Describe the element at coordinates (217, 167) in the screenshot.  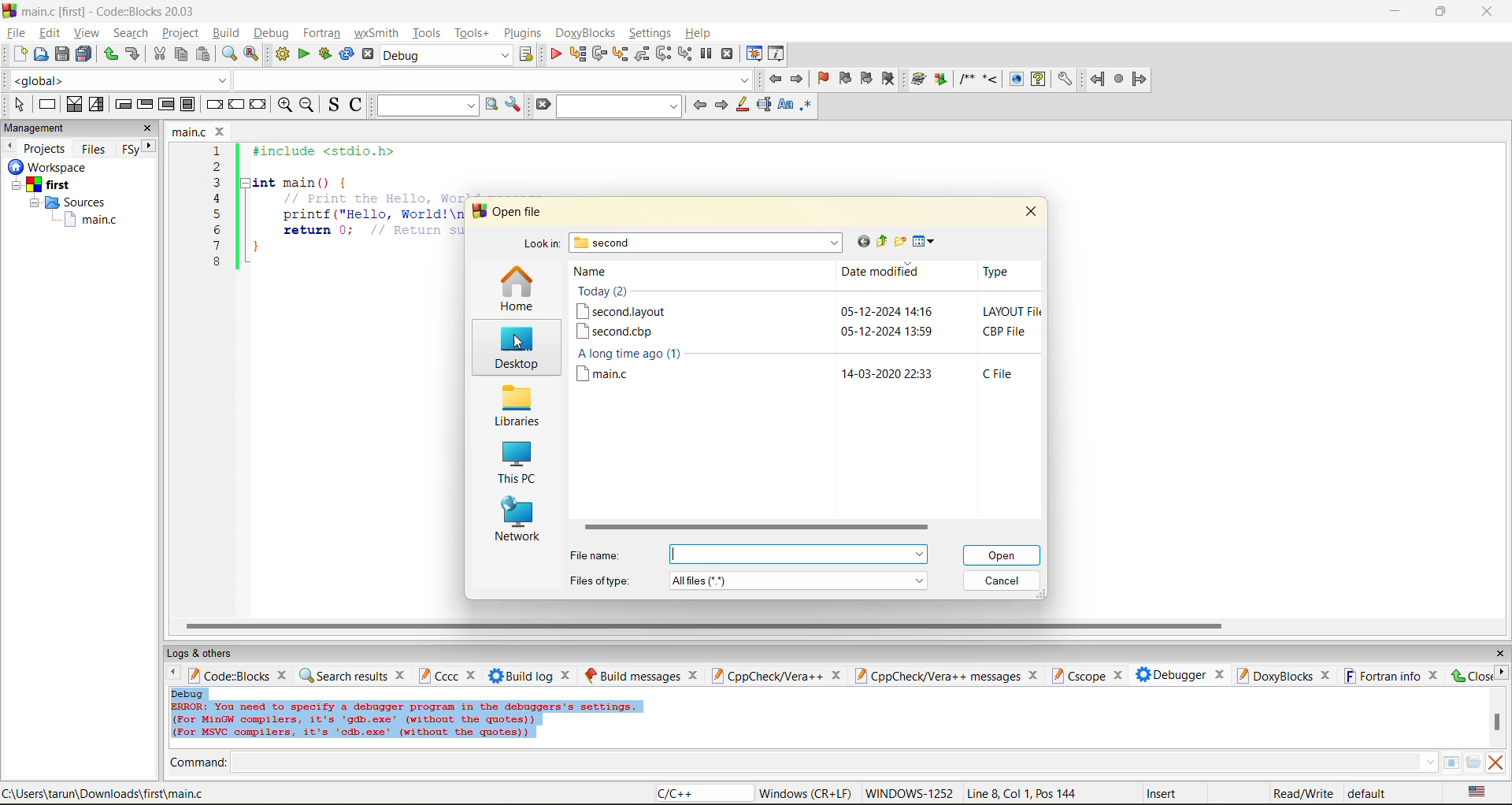
I see `2` at that location.